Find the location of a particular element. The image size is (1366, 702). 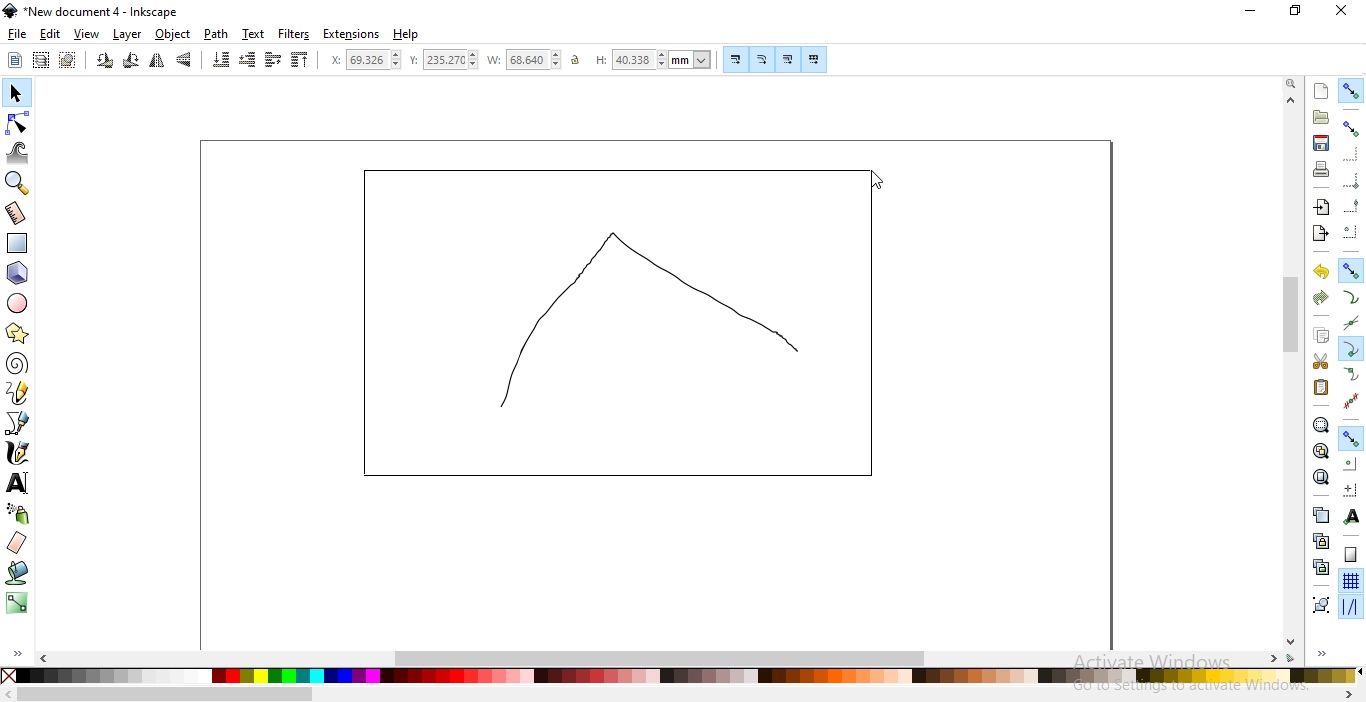

color is located at coordinates (686, 678).